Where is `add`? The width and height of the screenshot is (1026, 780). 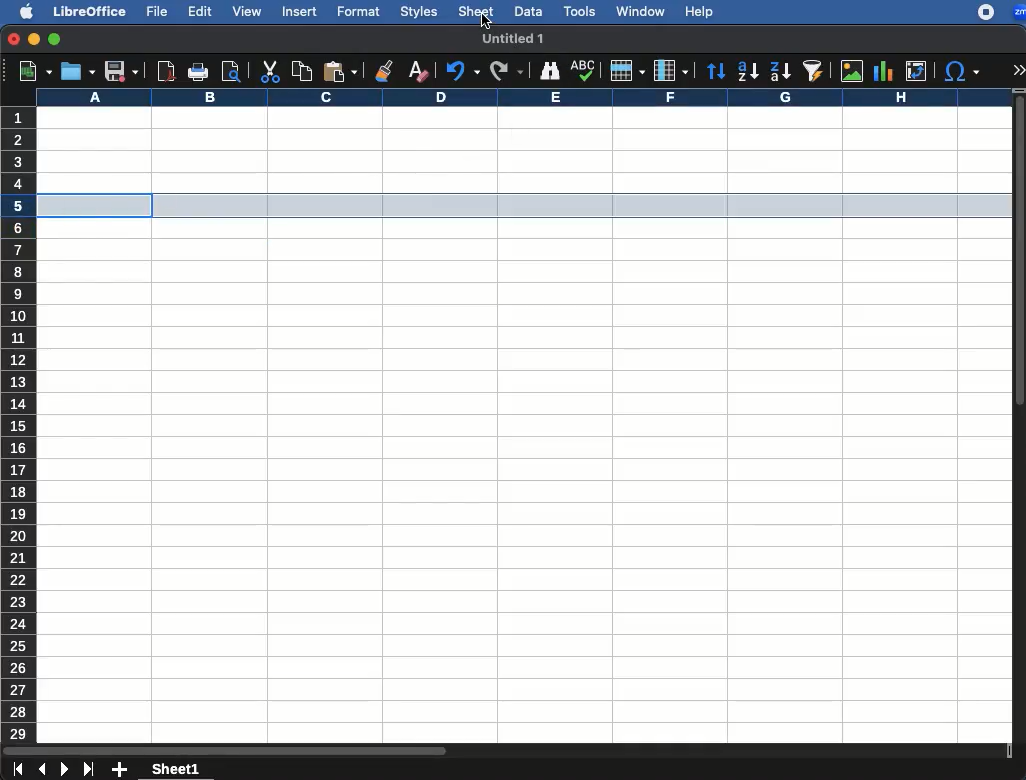
add is located at coordinates (120, 771).